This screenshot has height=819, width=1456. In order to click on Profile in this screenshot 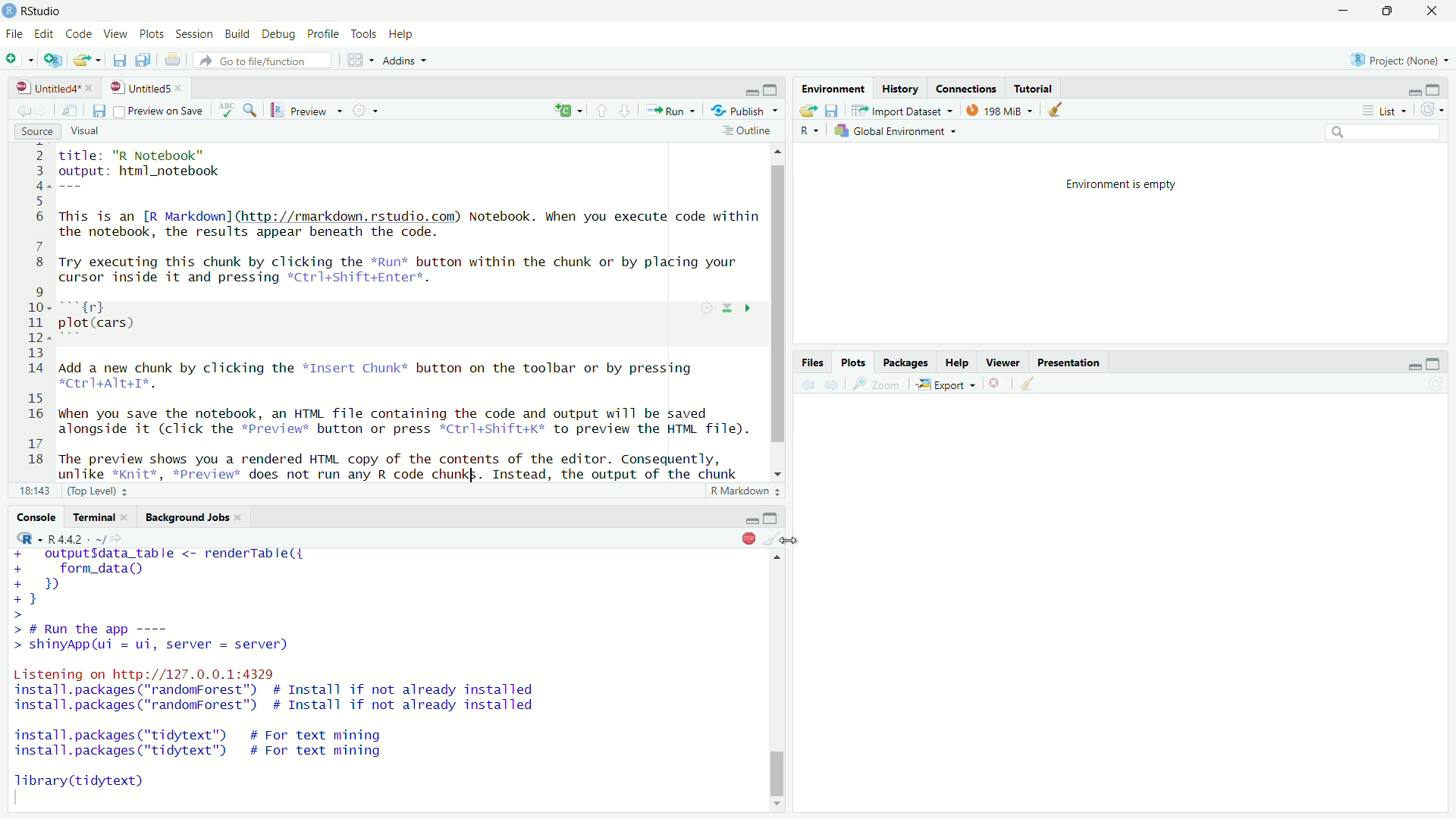, I will do `click(322, 35)`.